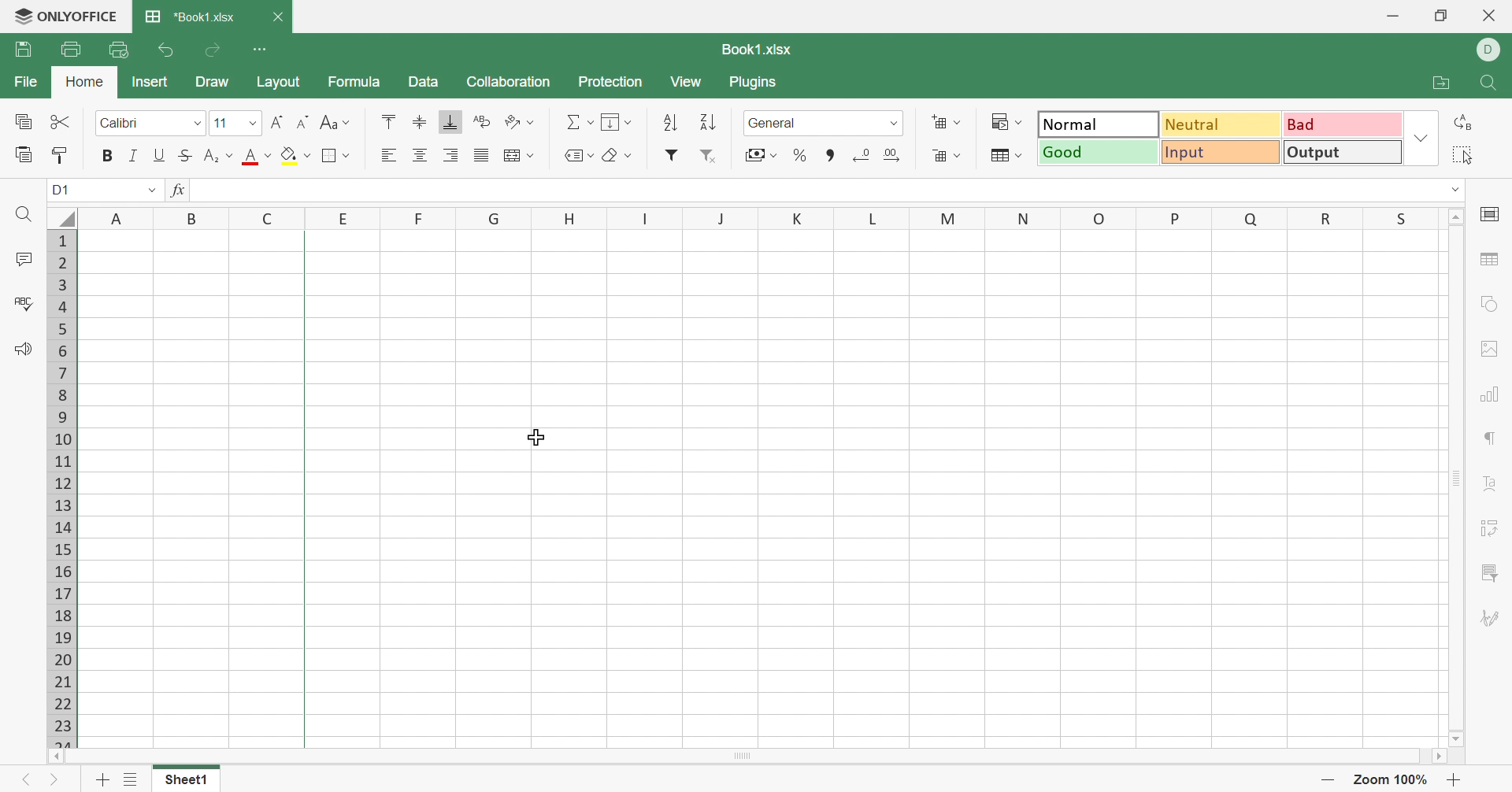 This screenshot has height=792, width=1512. What do you see at coordinates (22, 303) in the screenshot?
I see `Check Spelling` at bounding box center [22, 303].